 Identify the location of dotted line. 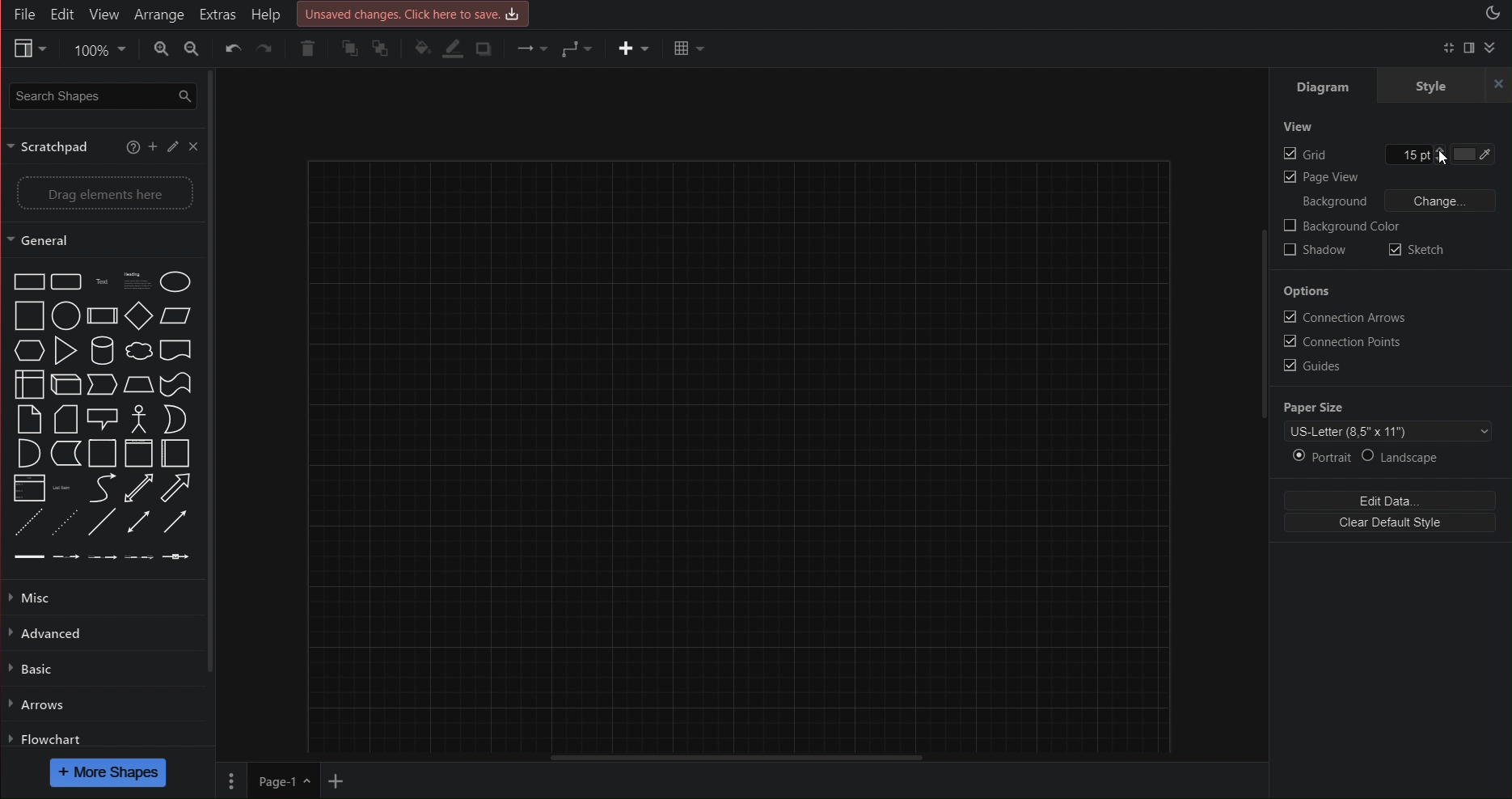
(23, 518).